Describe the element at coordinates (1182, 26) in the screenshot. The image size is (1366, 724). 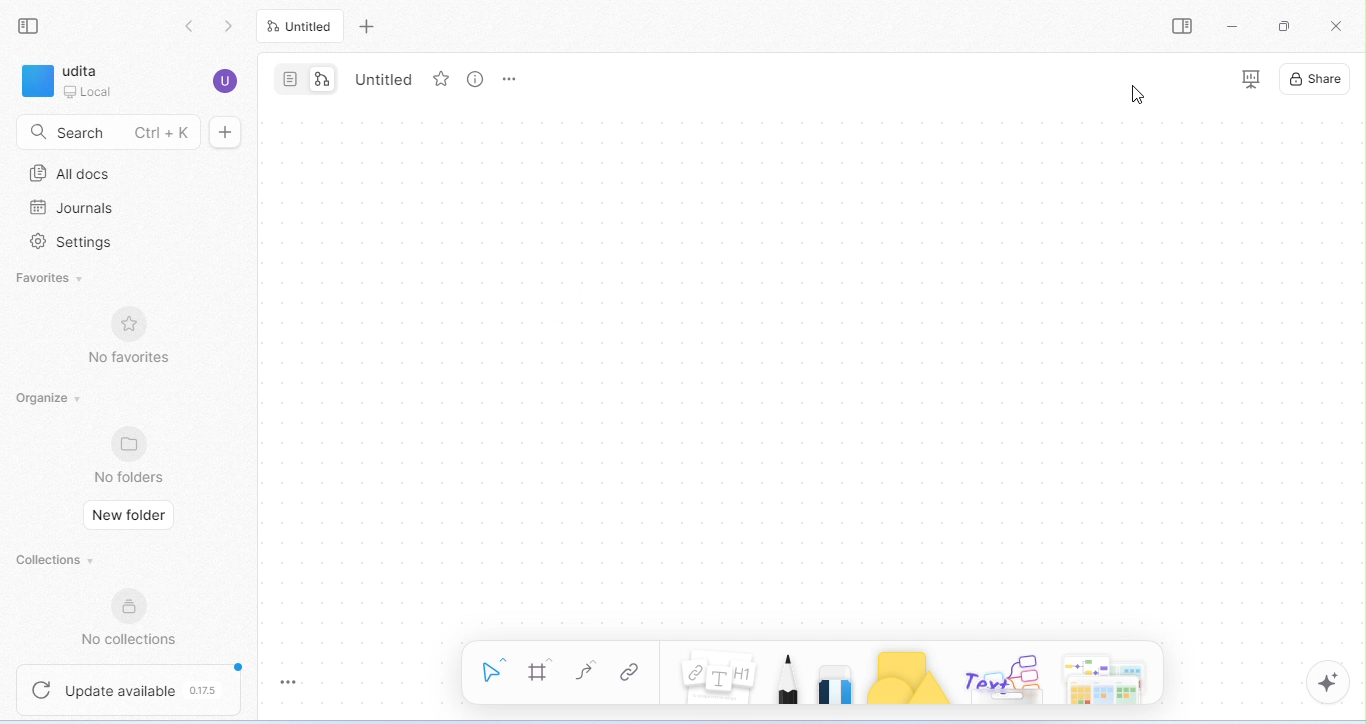
I see `open or close side bar` at that location.